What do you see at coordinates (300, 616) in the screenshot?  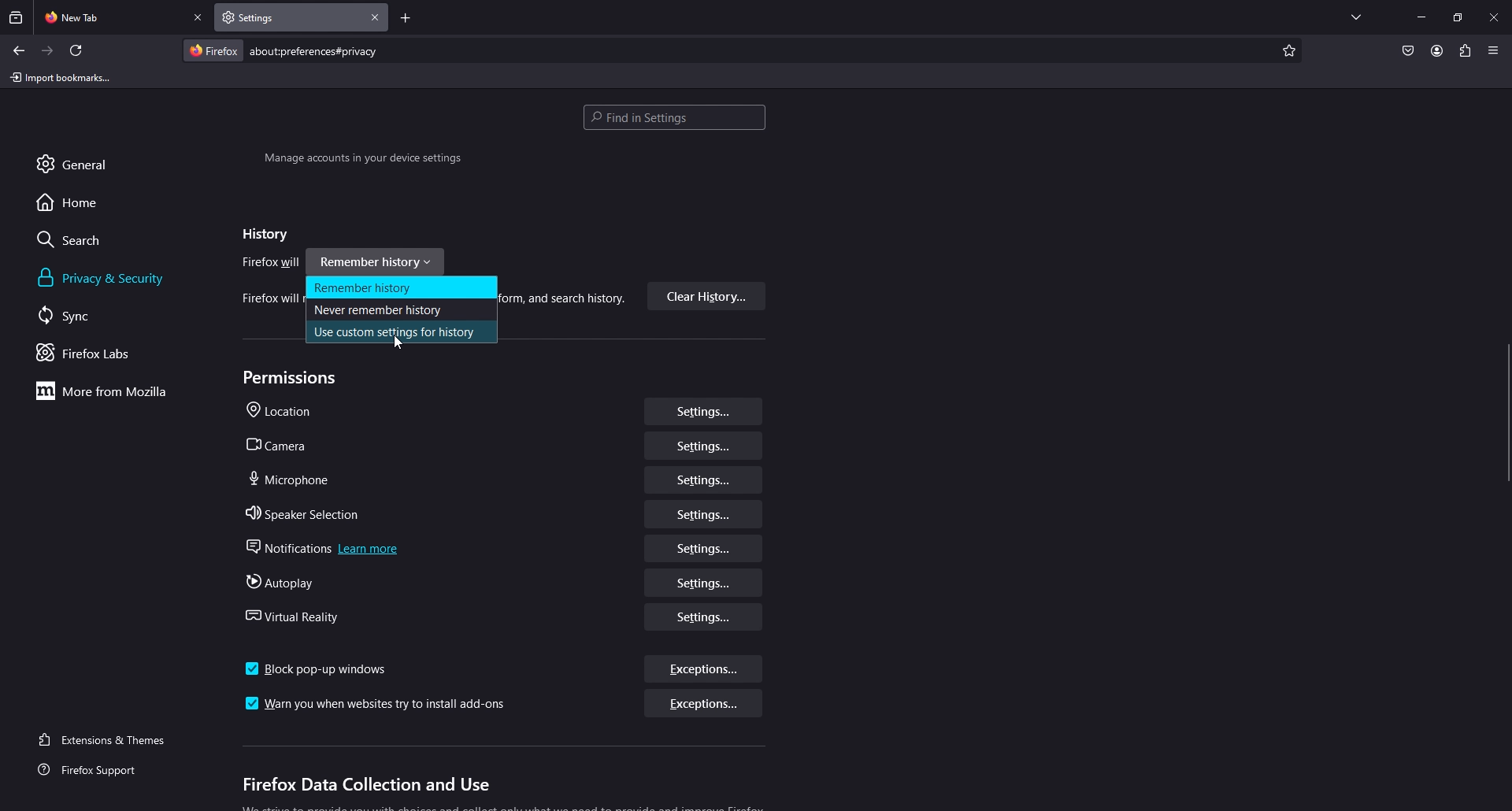 I see `virtual reality` at bounding box center [300, 616].